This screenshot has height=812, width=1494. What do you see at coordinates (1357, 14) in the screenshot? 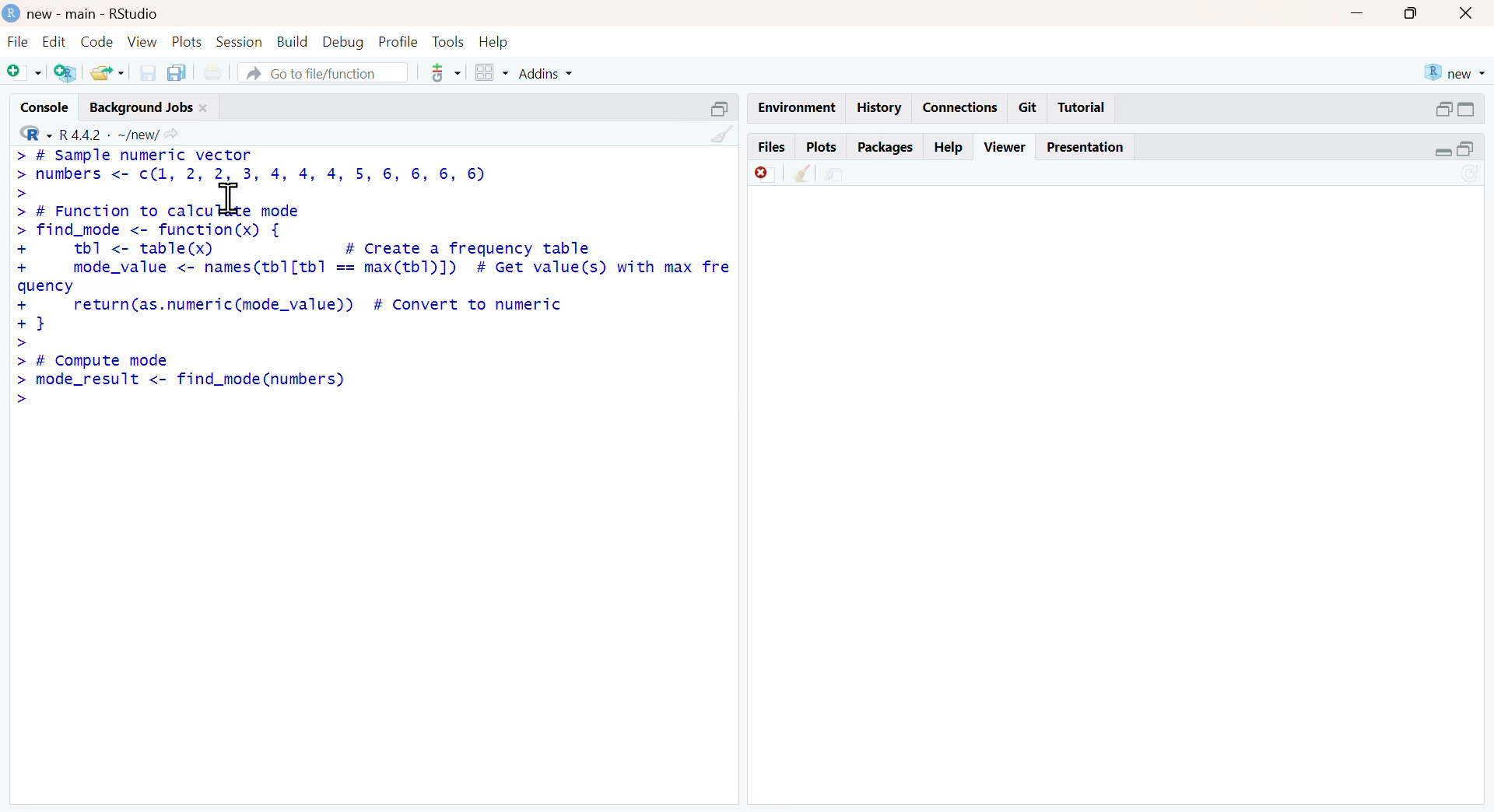
I see `minimise` at bounding box center [1357, 14].